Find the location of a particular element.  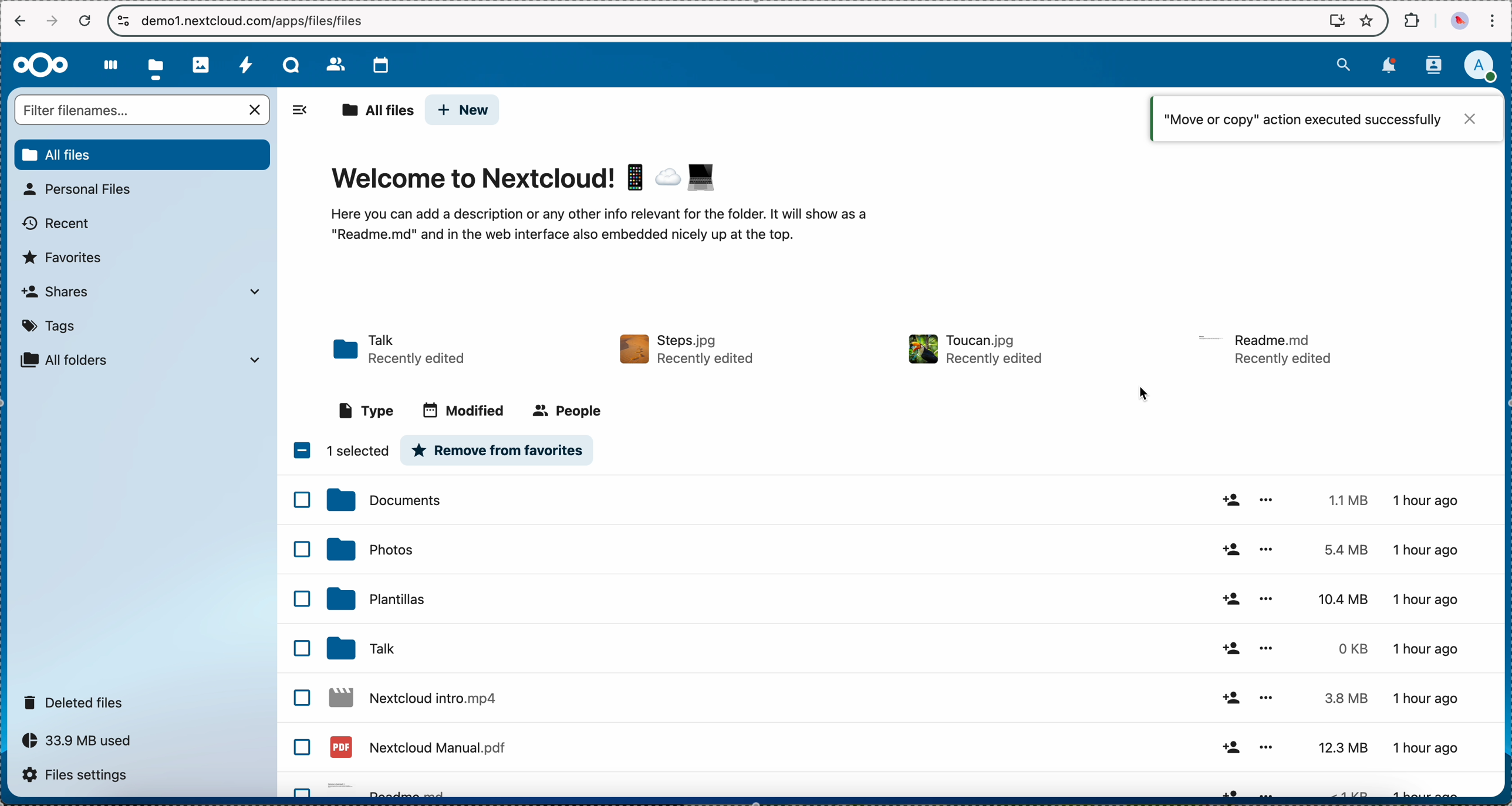

notifications is located at coordinates (1391, 66).